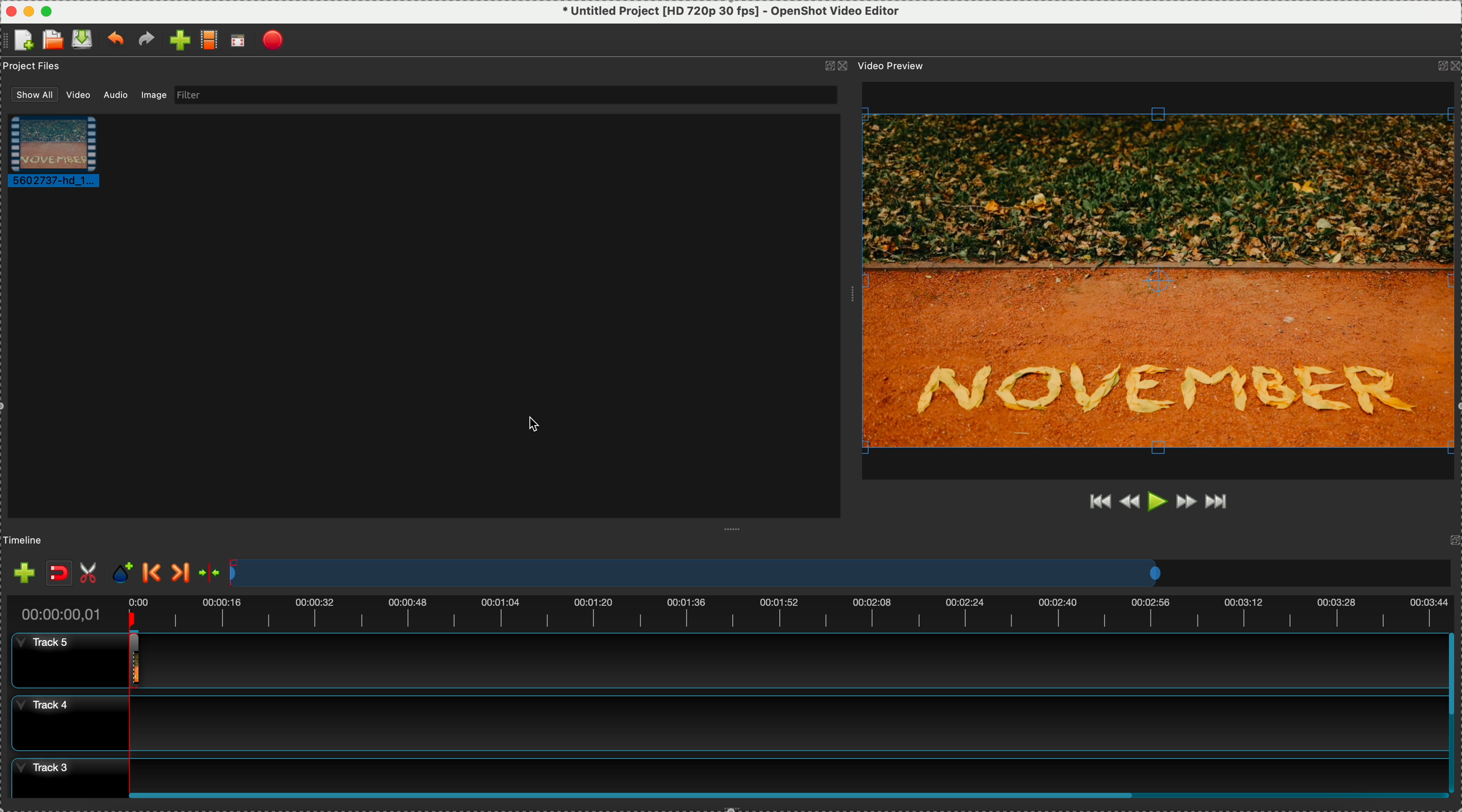 The image size is (1462, 812). What do you see at coordinates (28, 10) in the screenshot?
I see `minimize` at bounding box center [28, 10].